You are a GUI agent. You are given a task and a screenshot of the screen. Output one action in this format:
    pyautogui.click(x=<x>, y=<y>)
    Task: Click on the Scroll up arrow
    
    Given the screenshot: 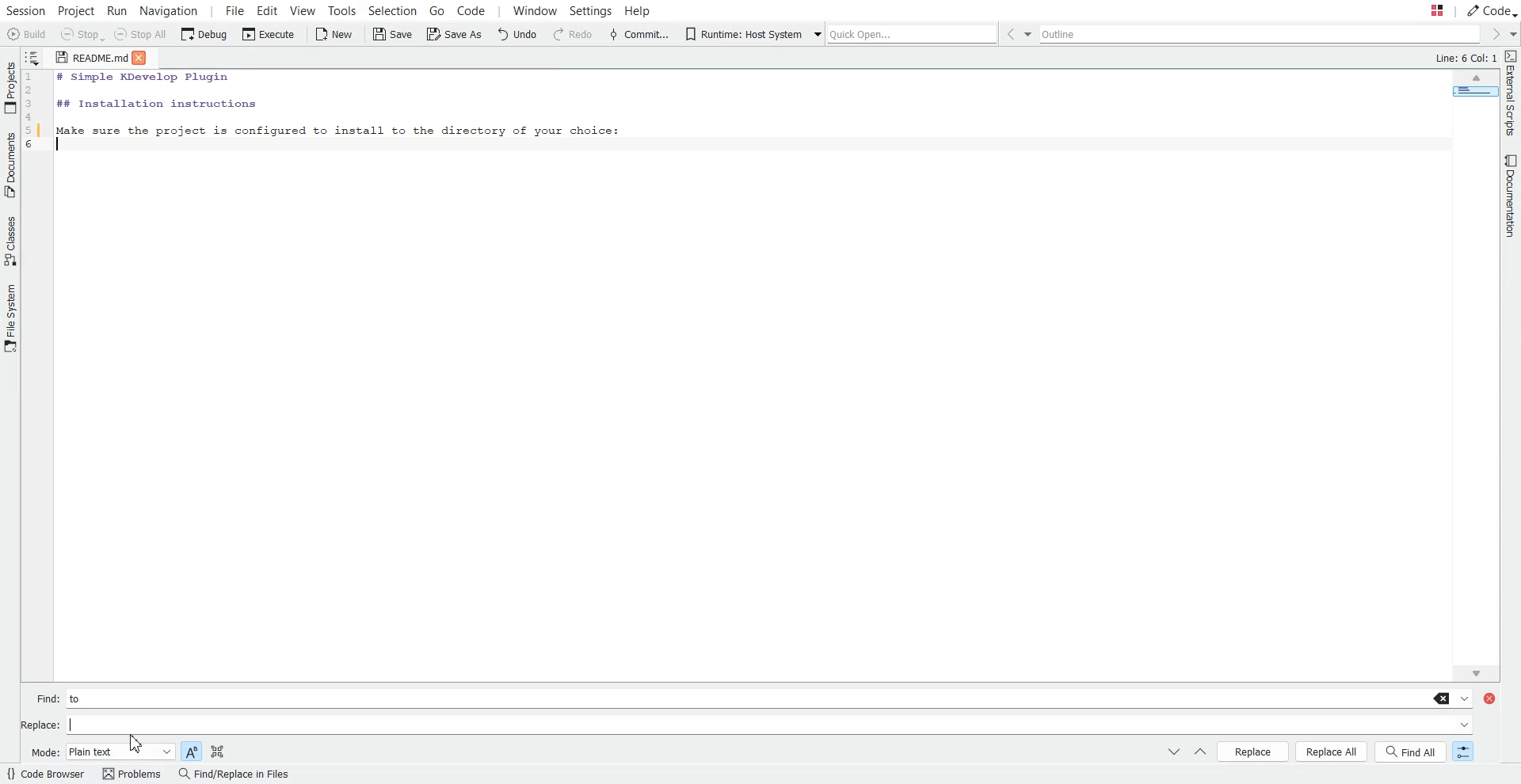 What is the action you would take?
    pyautogui.click(x=1476, y=79)
    